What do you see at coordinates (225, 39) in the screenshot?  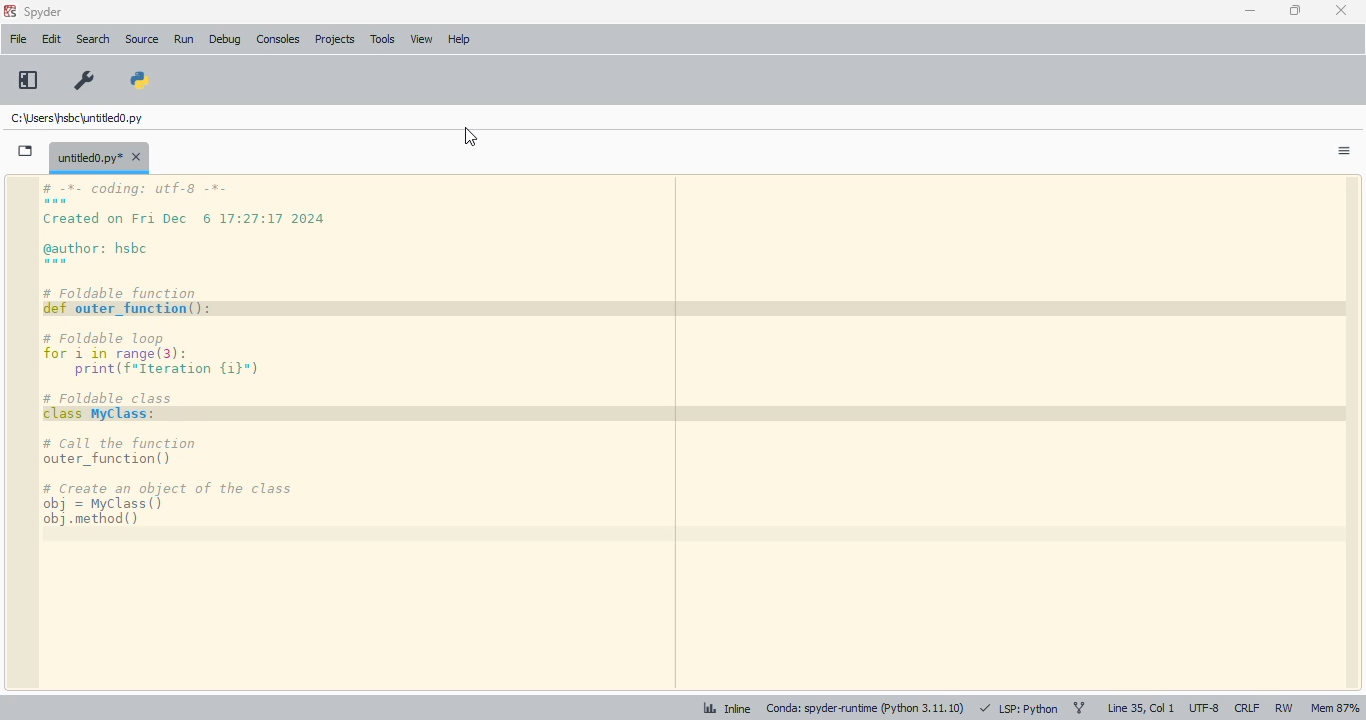 I see `debug` at bounding box center [225, 39].